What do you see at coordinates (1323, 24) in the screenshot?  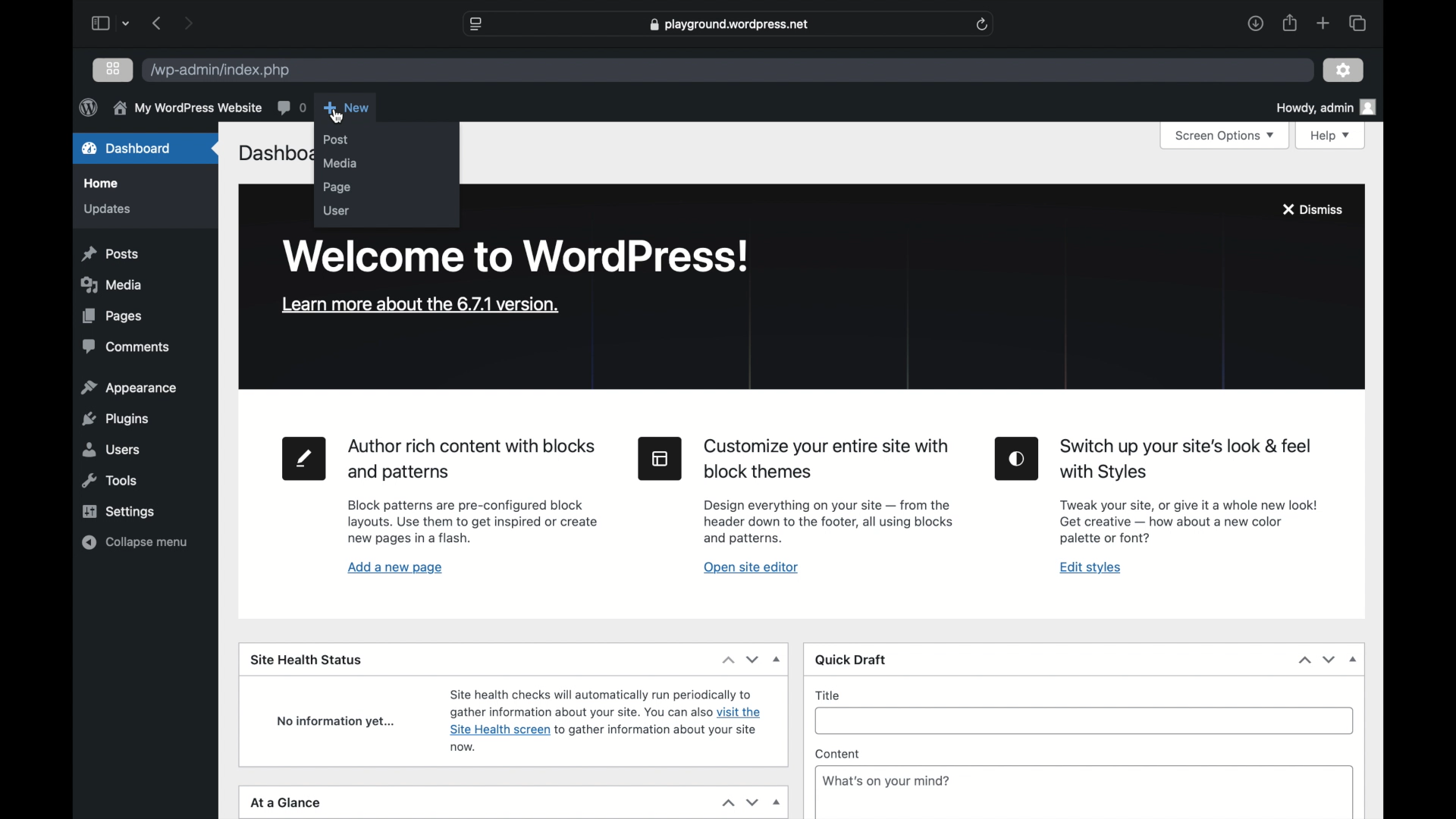 I see `new tab` at bounding box center [1323, 24].